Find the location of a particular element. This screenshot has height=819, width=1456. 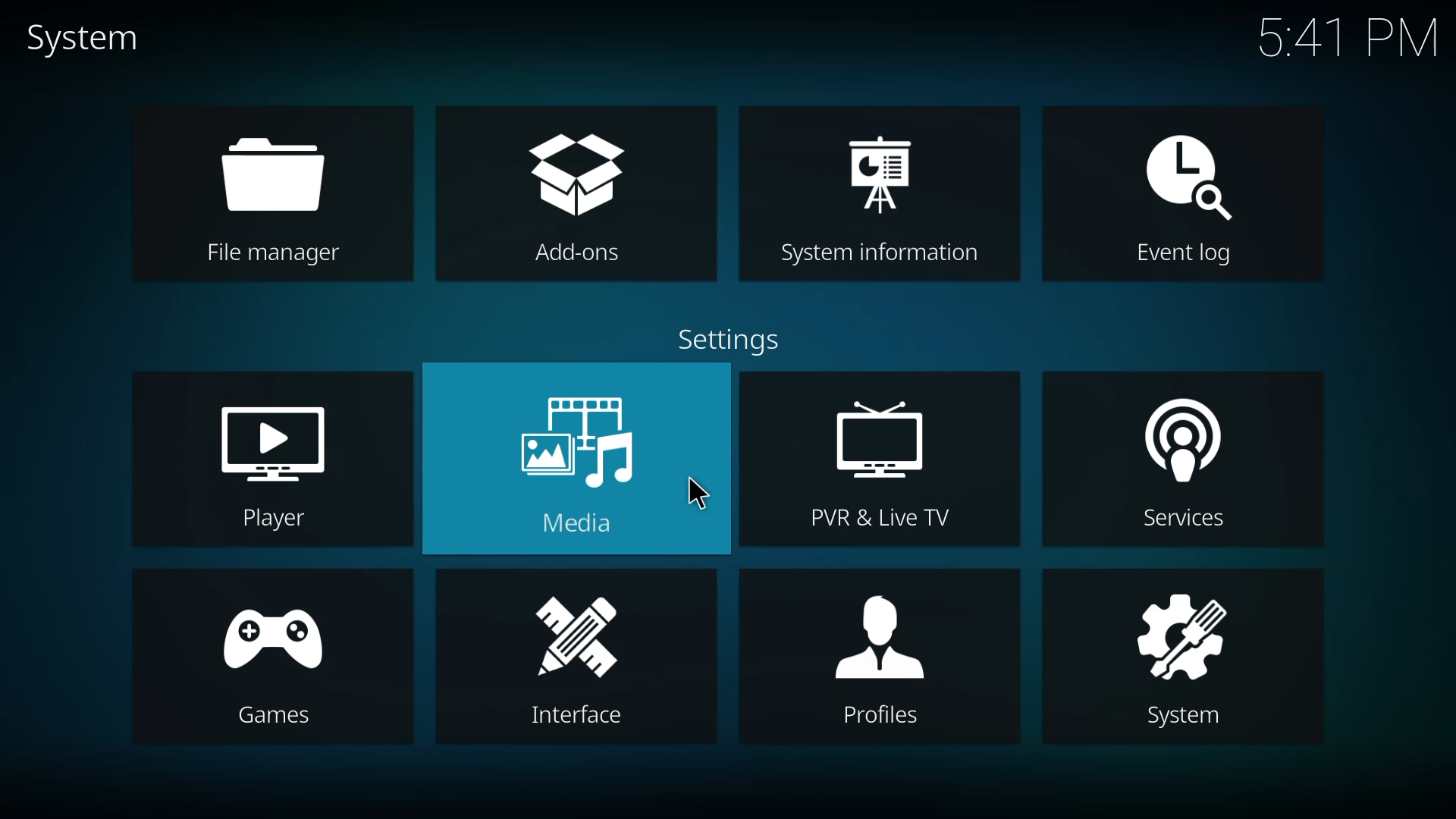

games is located at coordinates (275, 658).